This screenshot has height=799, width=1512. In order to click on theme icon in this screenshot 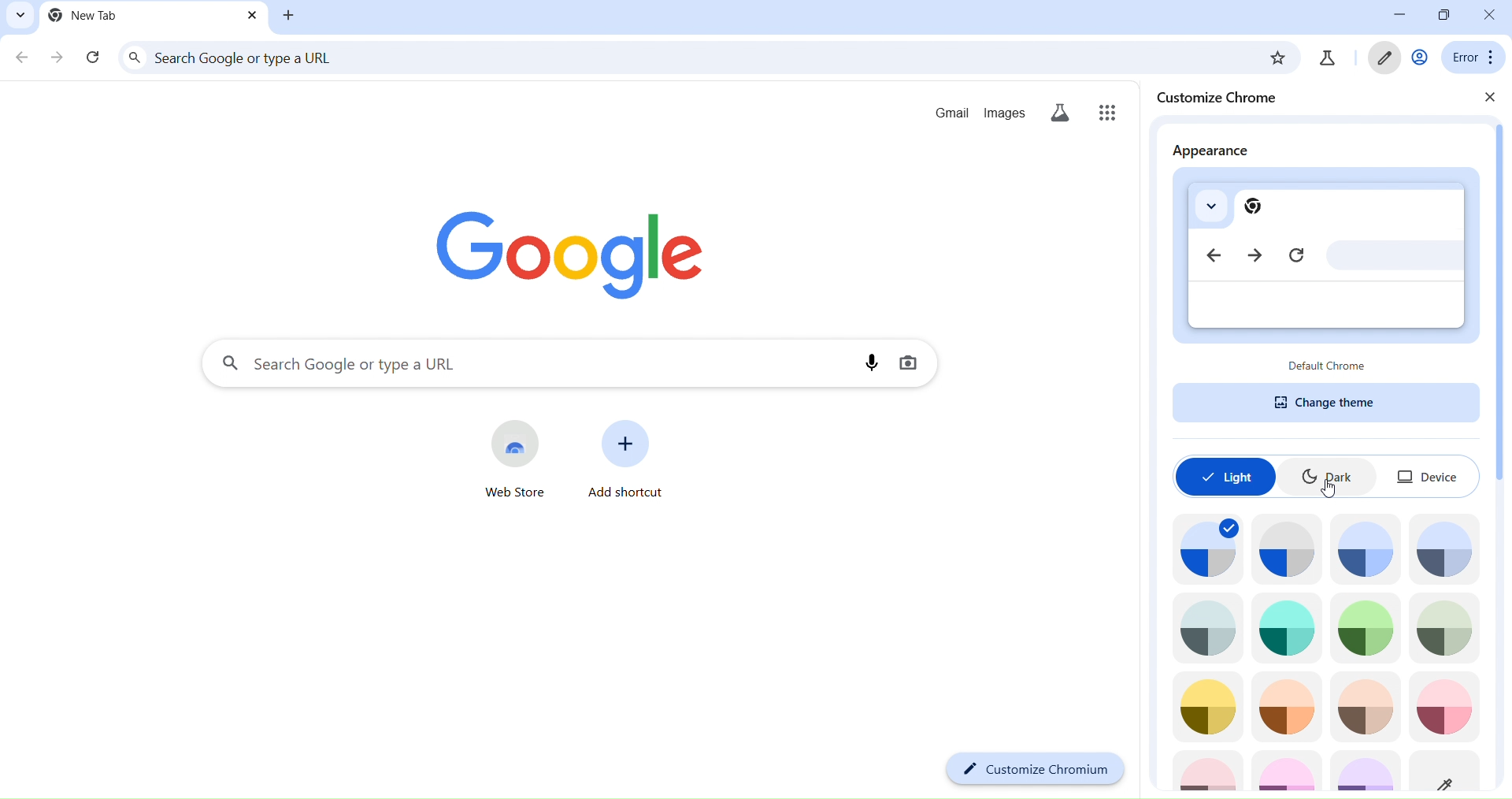, I will do `click(1450, 549)`.